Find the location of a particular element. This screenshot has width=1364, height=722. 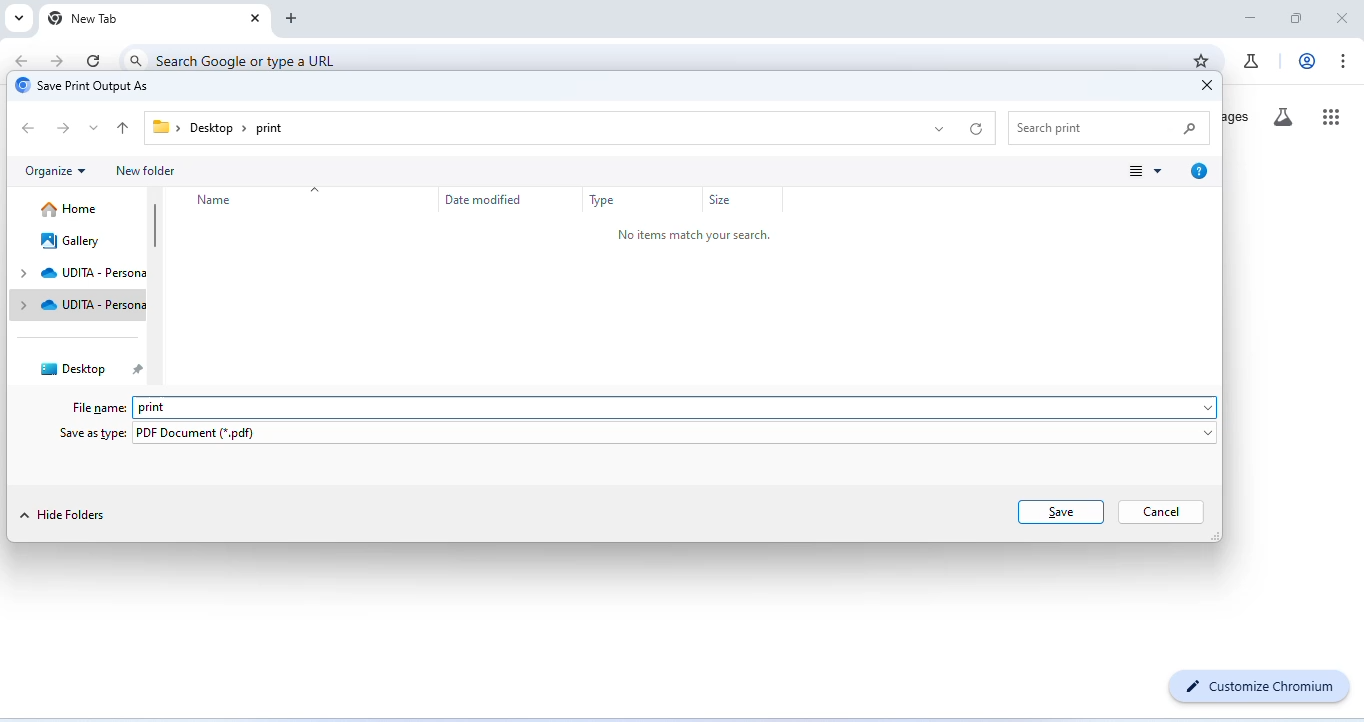

Change dimension of window is located at coordinates (1215, 536).